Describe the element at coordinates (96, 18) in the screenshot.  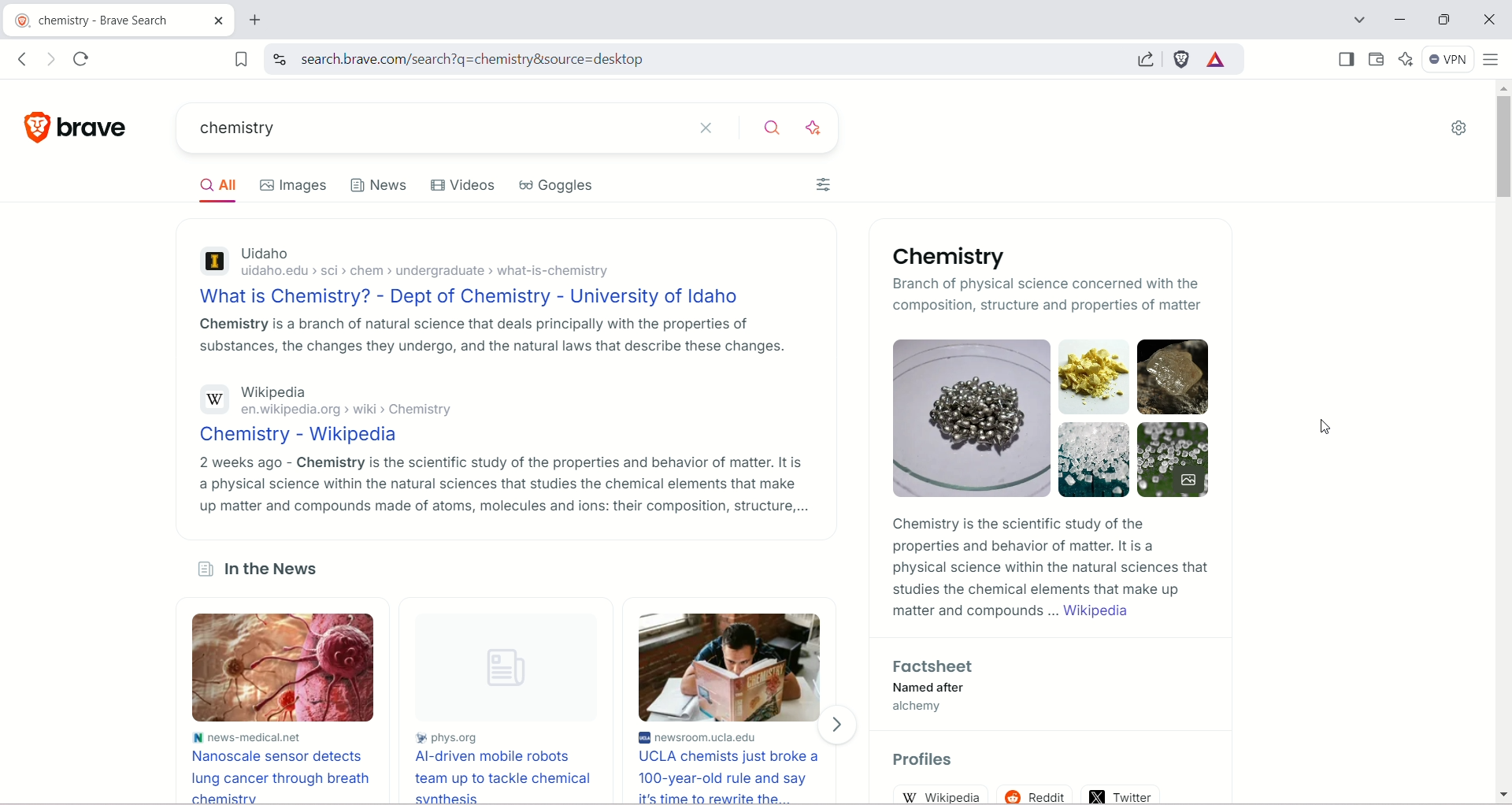
I see `chemistry - brave search` at that location.